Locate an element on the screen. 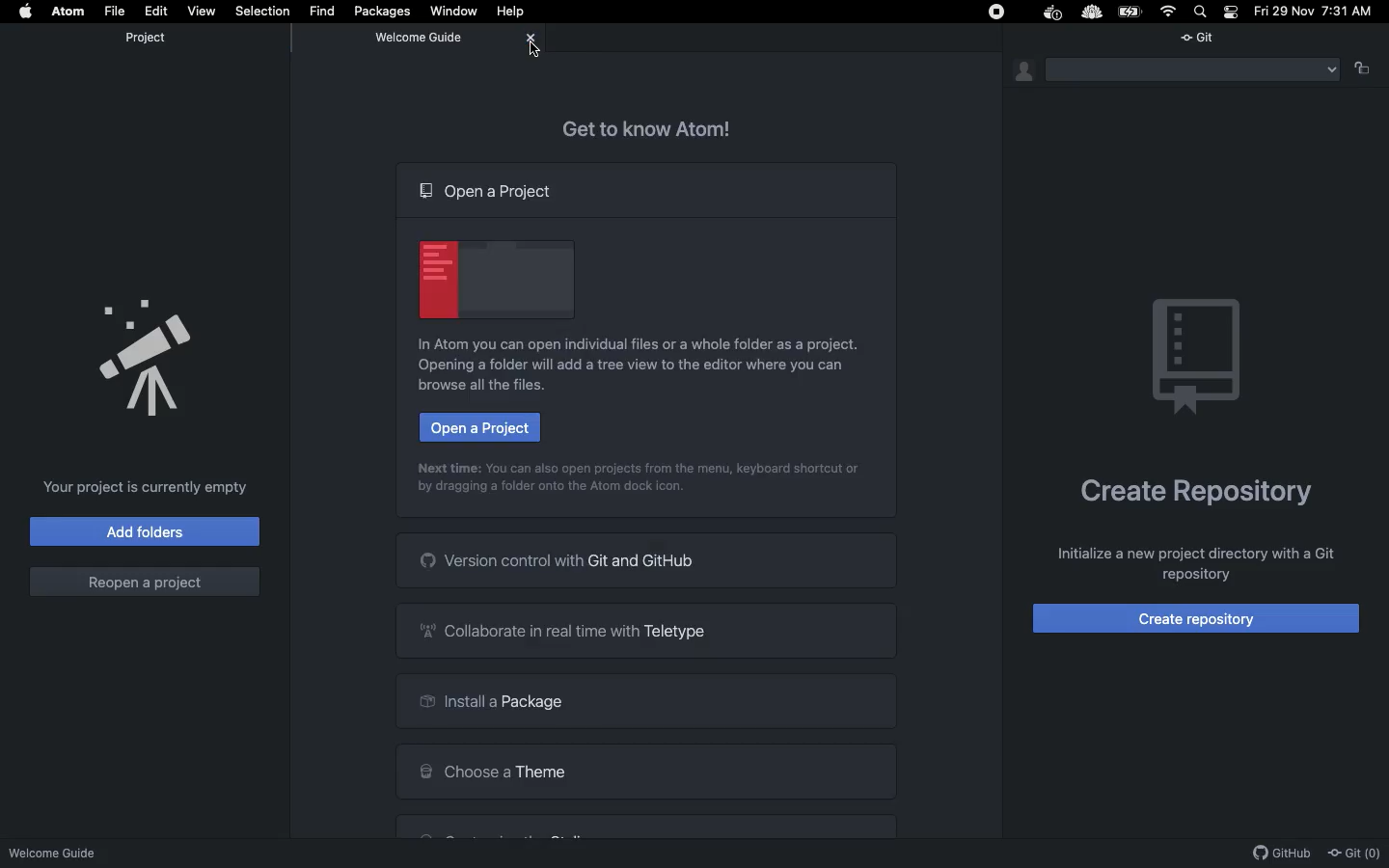 The height and width of the screenshot is (868, 1389). In Atom you can open individual files or a whole folder as a project.
Opening a folder will add a tree view to the editor where you can
browse all the files. is located at coordinates (640, 366).